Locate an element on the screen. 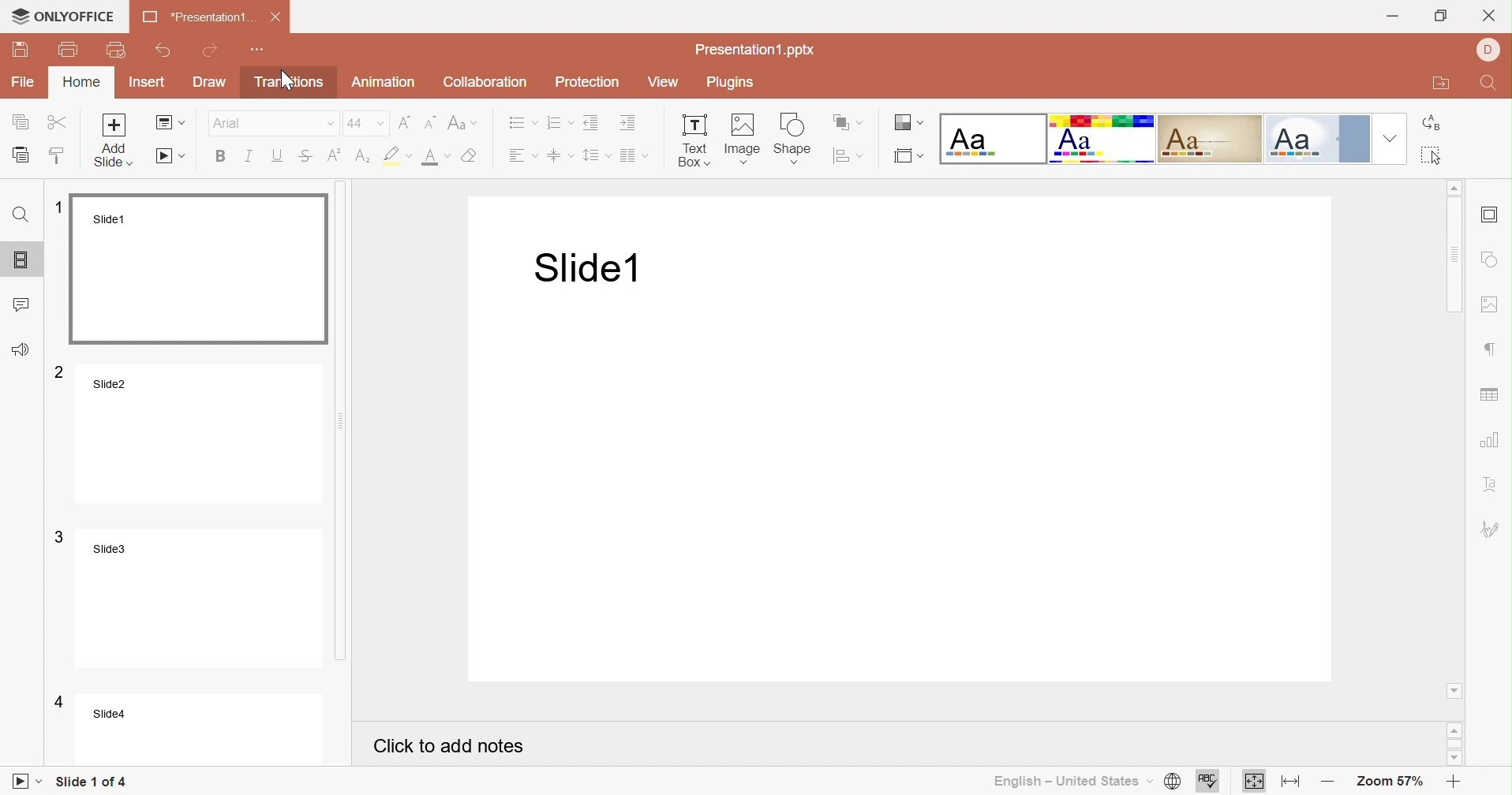  Superscript is located at coordinates (334, 157).